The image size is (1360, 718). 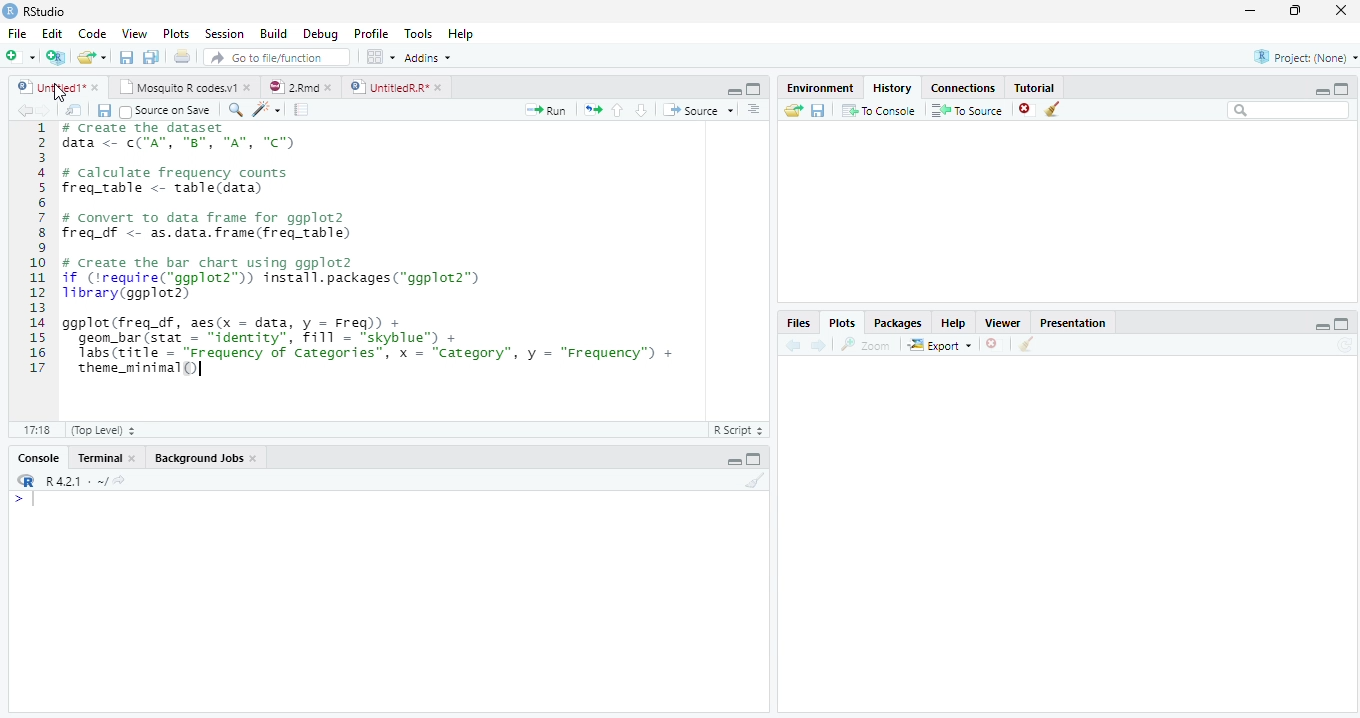 What do you see at coordinates (50, 110) in the screenshot?
I see `Forward` at bounding box center [50, 110].